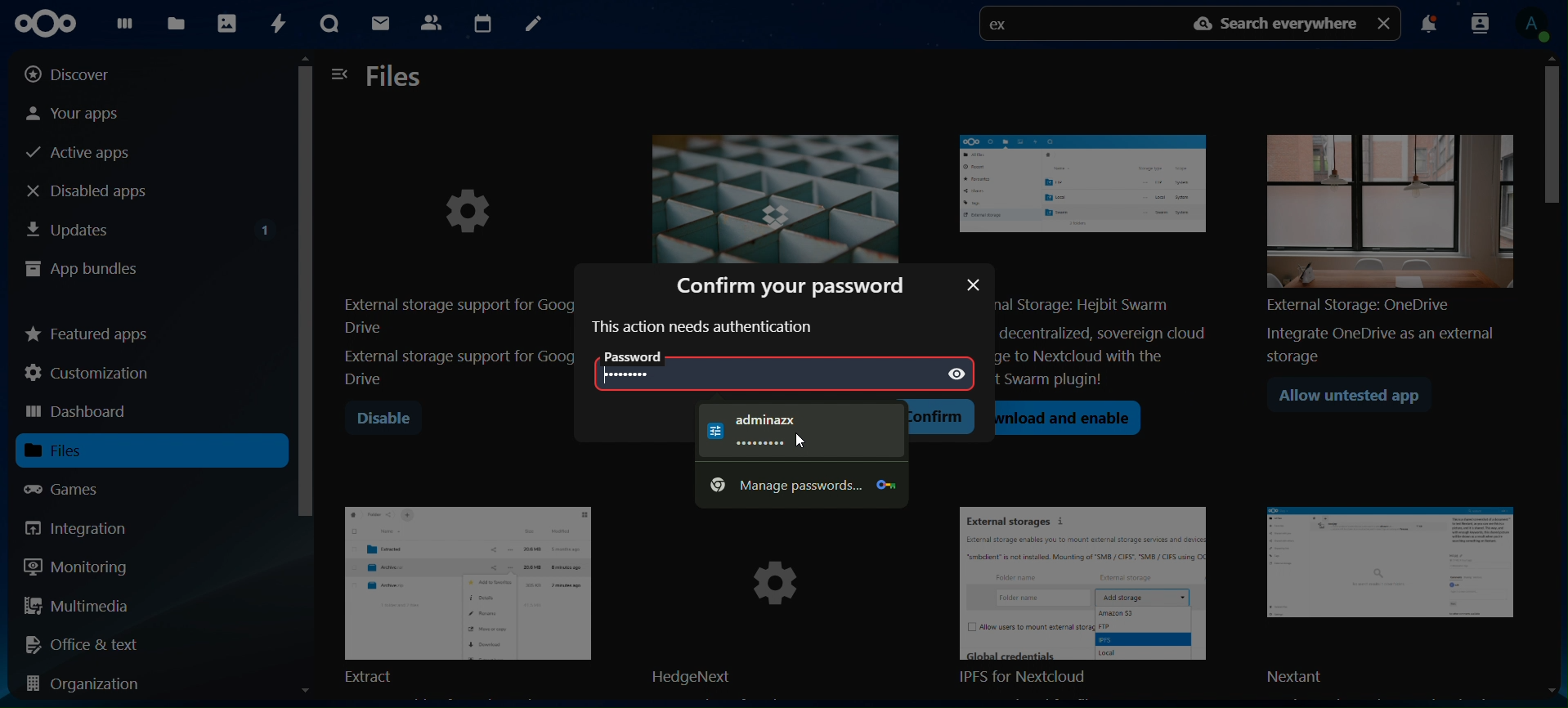 Image resolution: width=1568 pixels, height=708 pixels. Describe the element at coordinates (468, 593) in the screenshot. I see `extract` at that location.